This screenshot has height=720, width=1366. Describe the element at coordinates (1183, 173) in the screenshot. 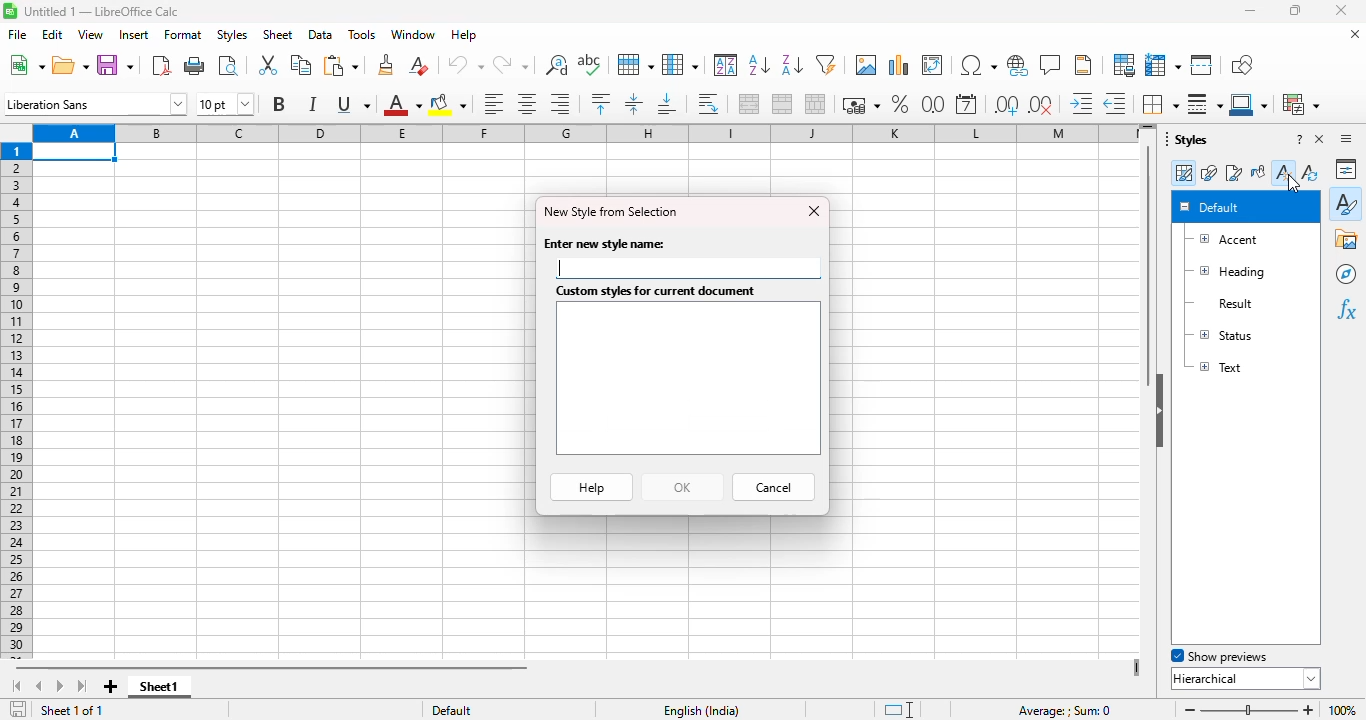

I see `cell styles` at that location.